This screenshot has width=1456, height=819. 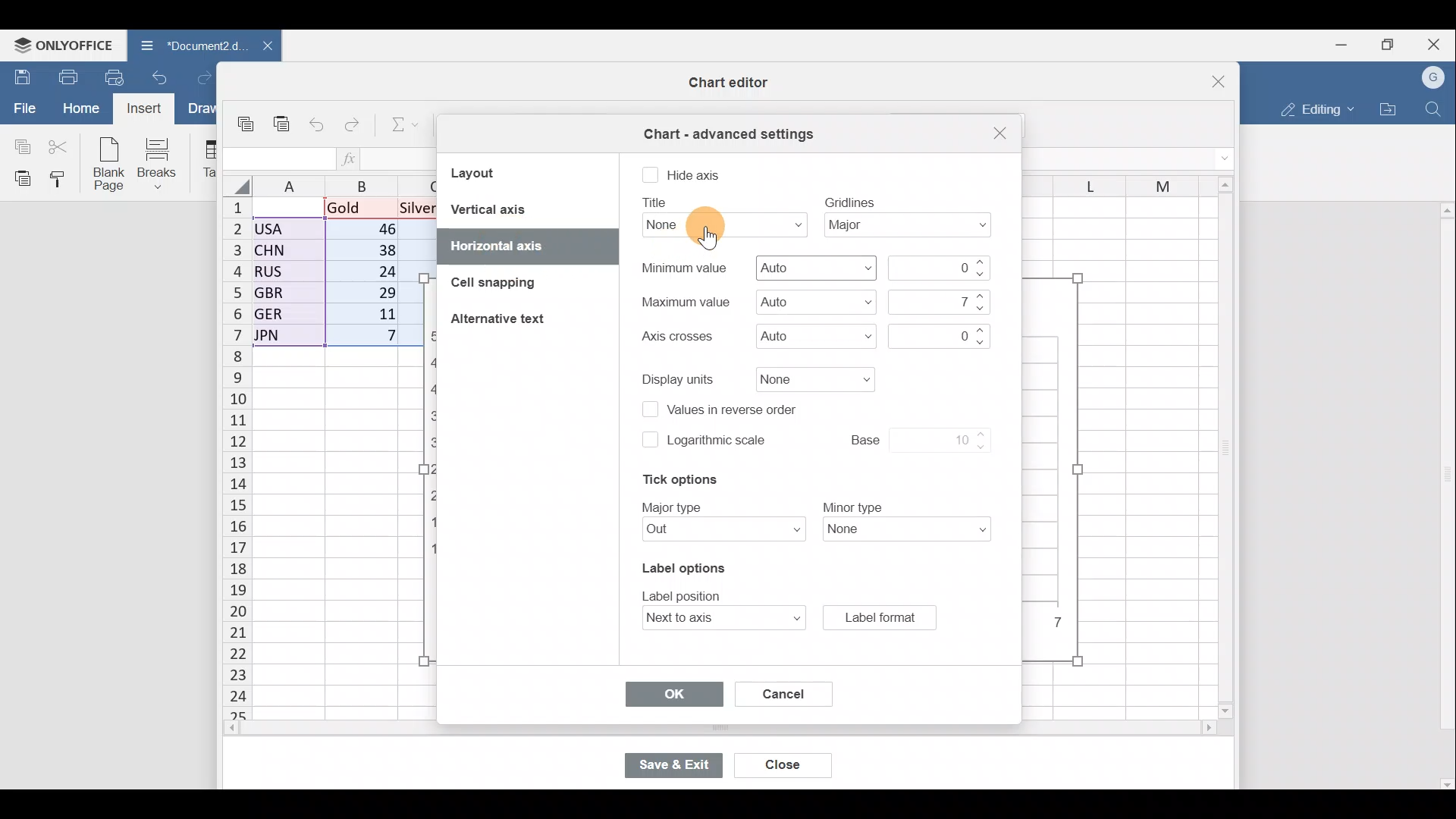 What do you see at coordinates (1209, 76) in the screenshot?
I see `Close` at bounding box center [1209, 76].